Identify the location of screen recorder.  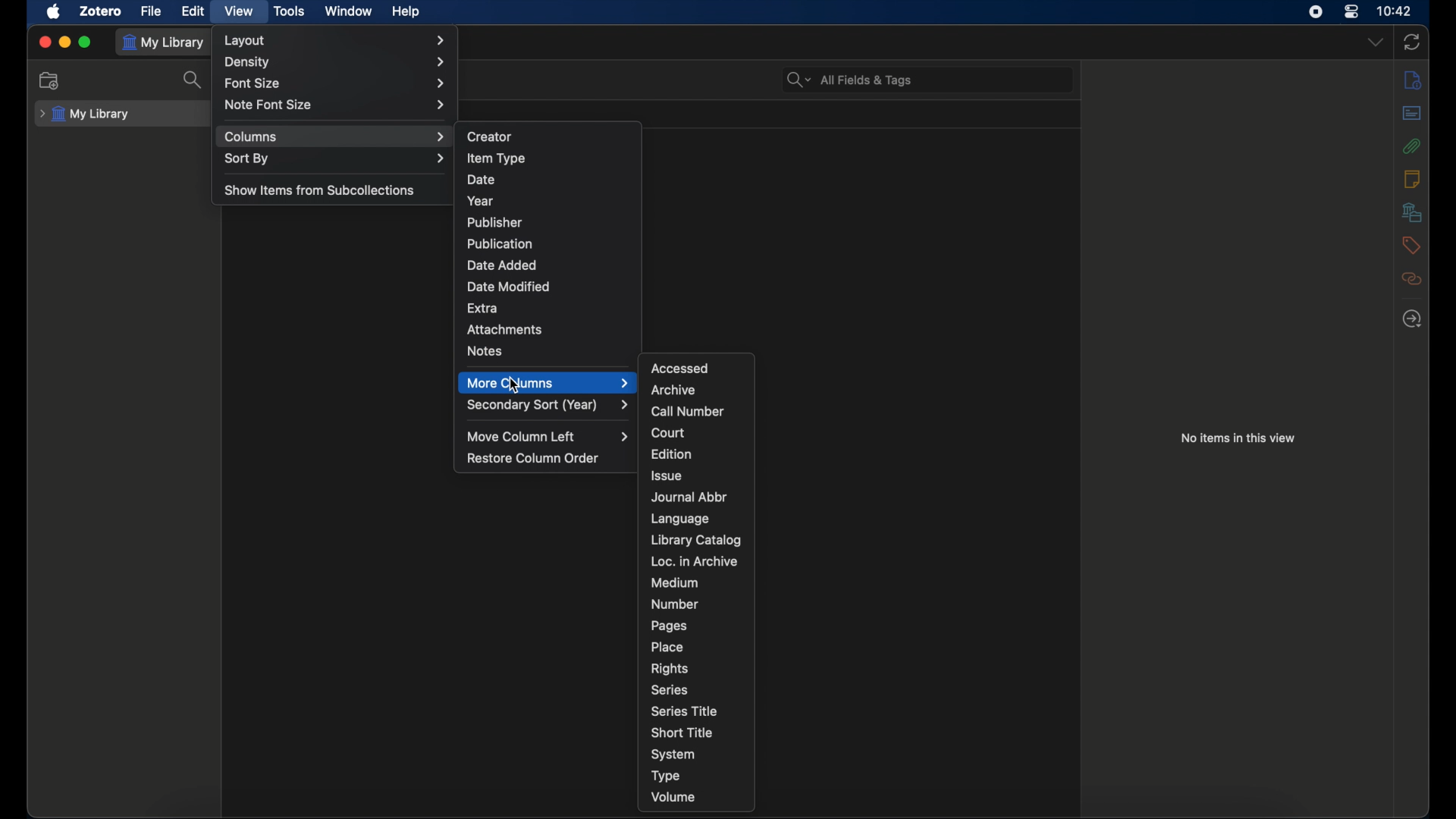
(1316, 11).